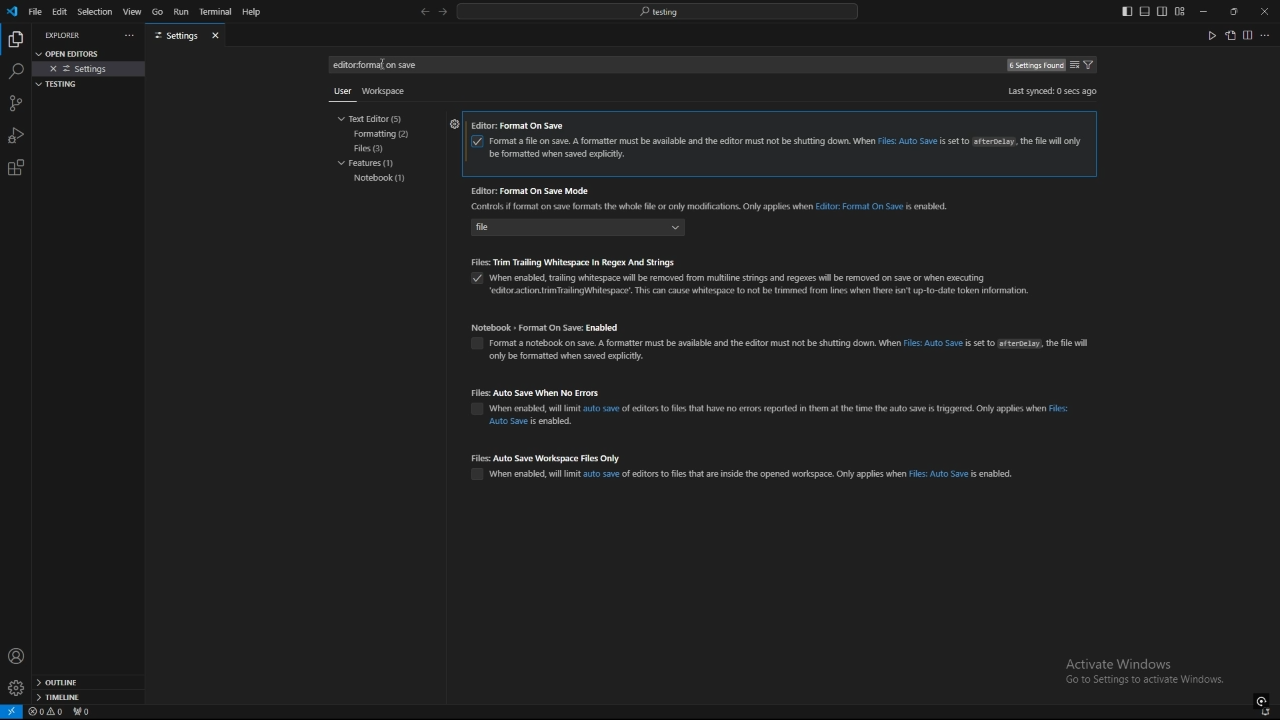 The width and height of the screenshot is (1280, 720). I want to click on search, so click(15, 72).